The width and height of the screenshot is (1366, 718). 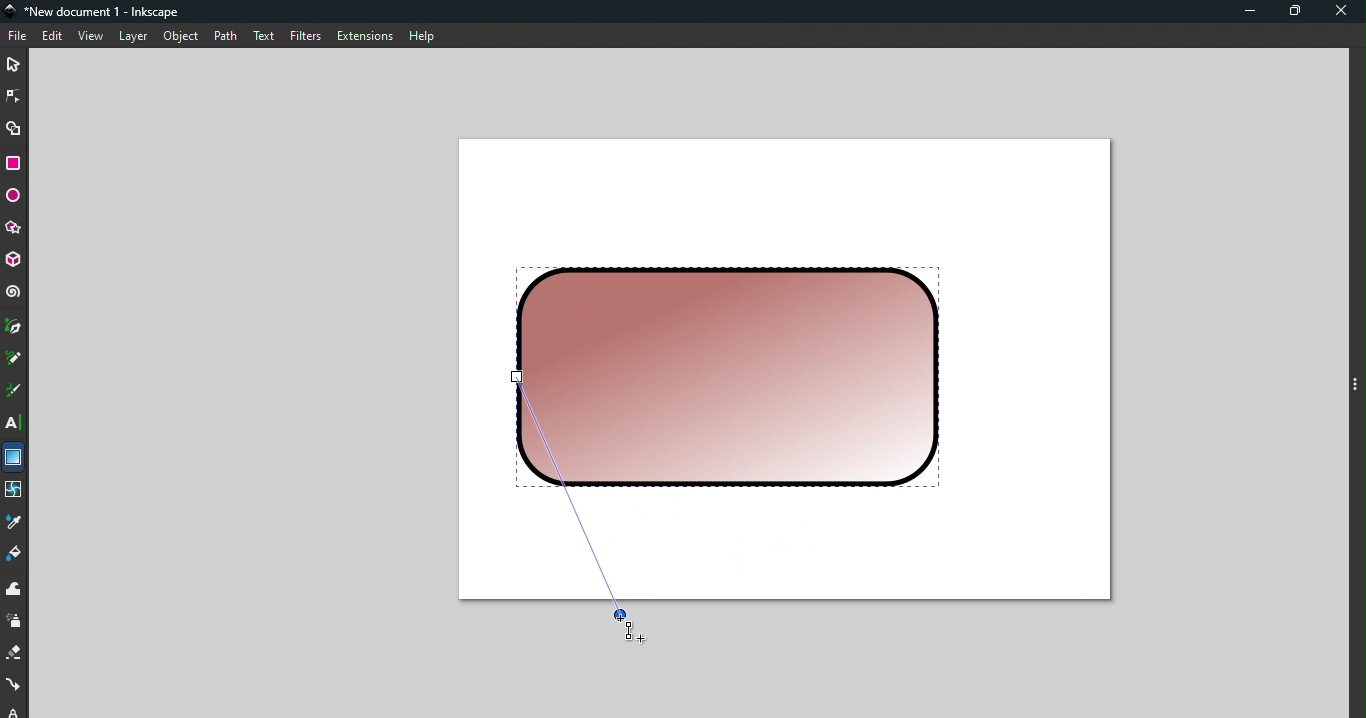 What do you see at coordinates (14, 492) in the screenshot?
I see `Mesh tool` at bounding box center [14, 492].